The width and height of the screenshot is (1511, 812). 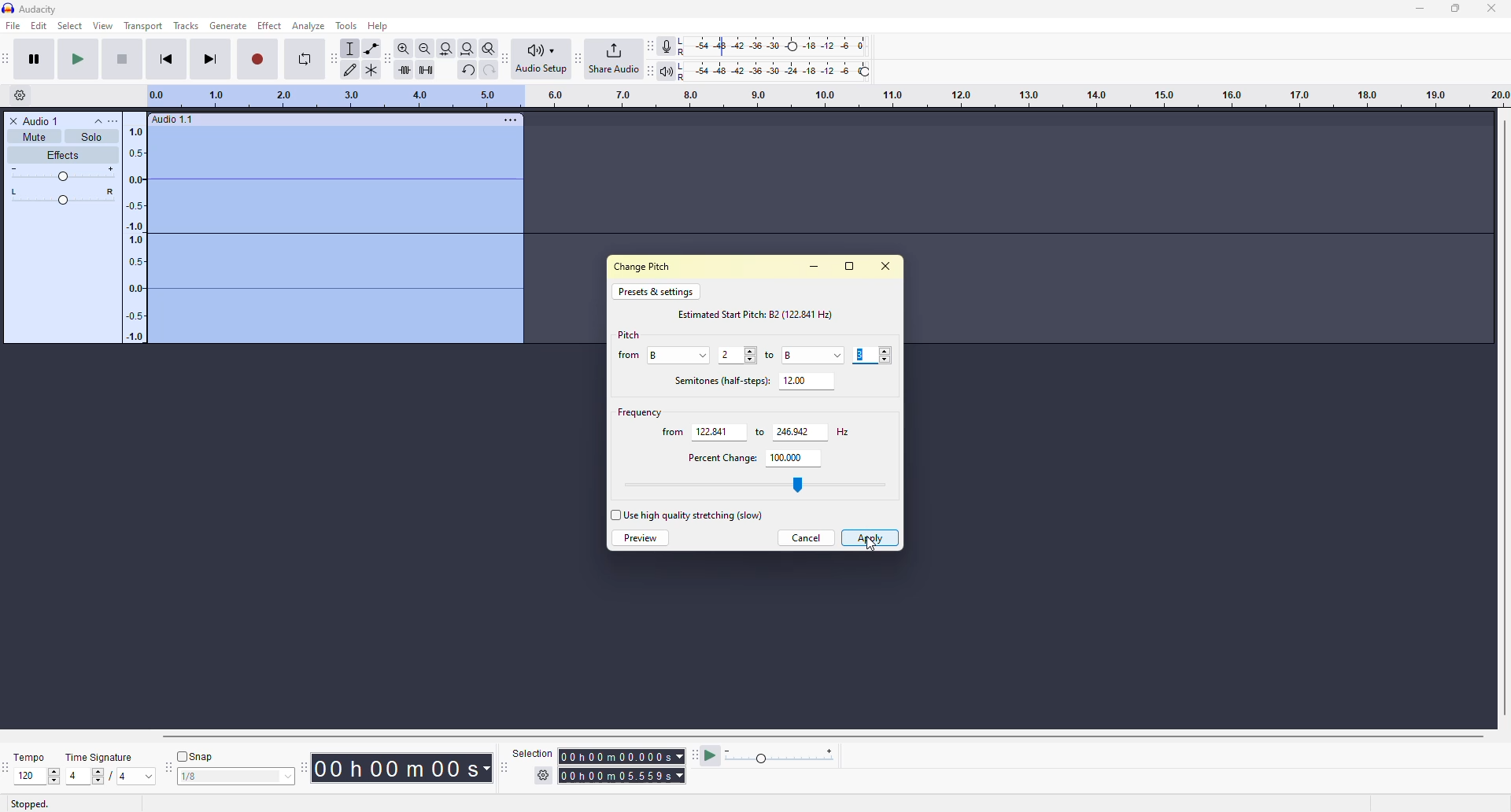 I want to click on playback meter, so click(x=666, y=70).